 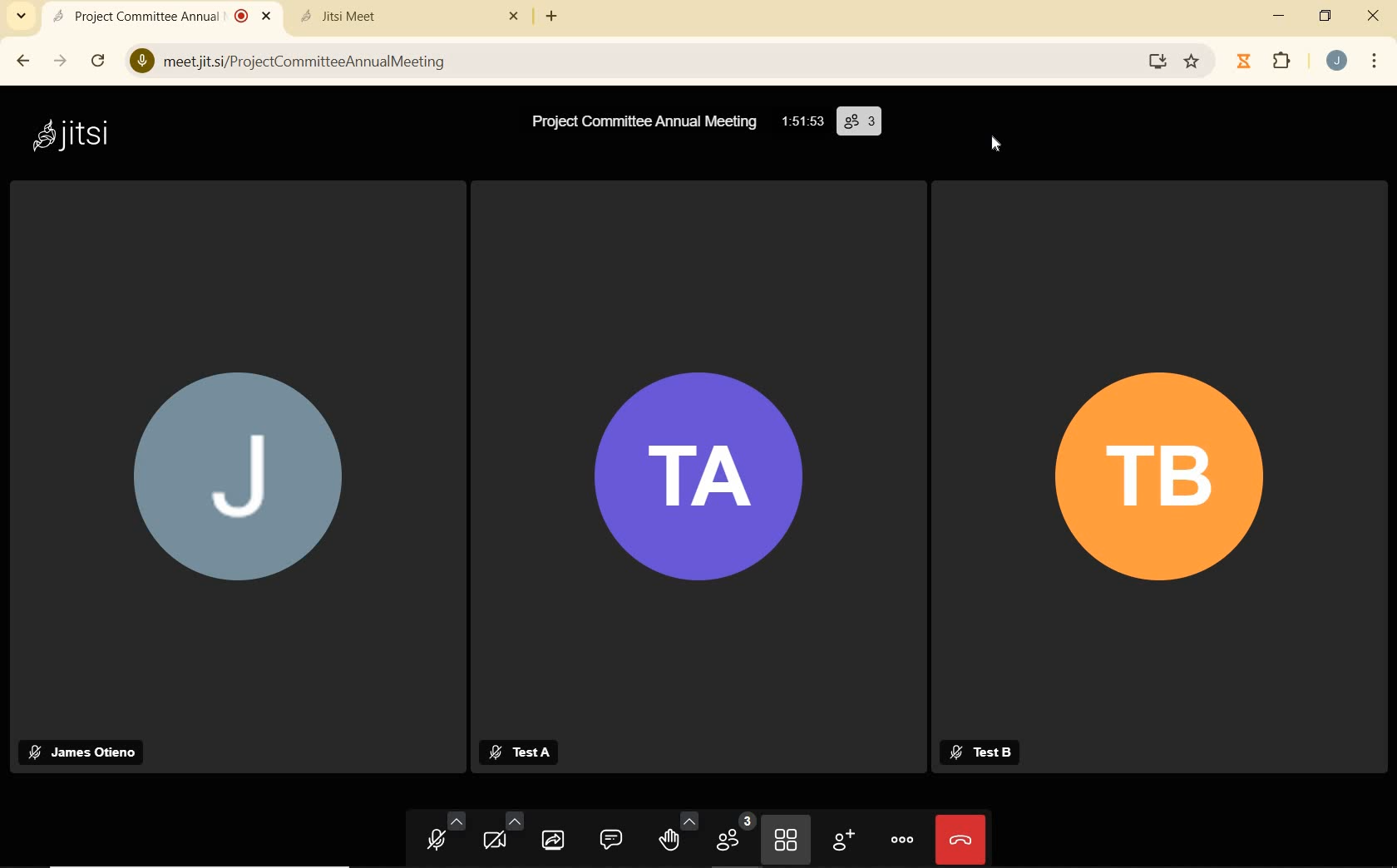 What do you see at coordinates (78, 138) in the screenshot?
I see `system name` at bounding box center [78, 138].